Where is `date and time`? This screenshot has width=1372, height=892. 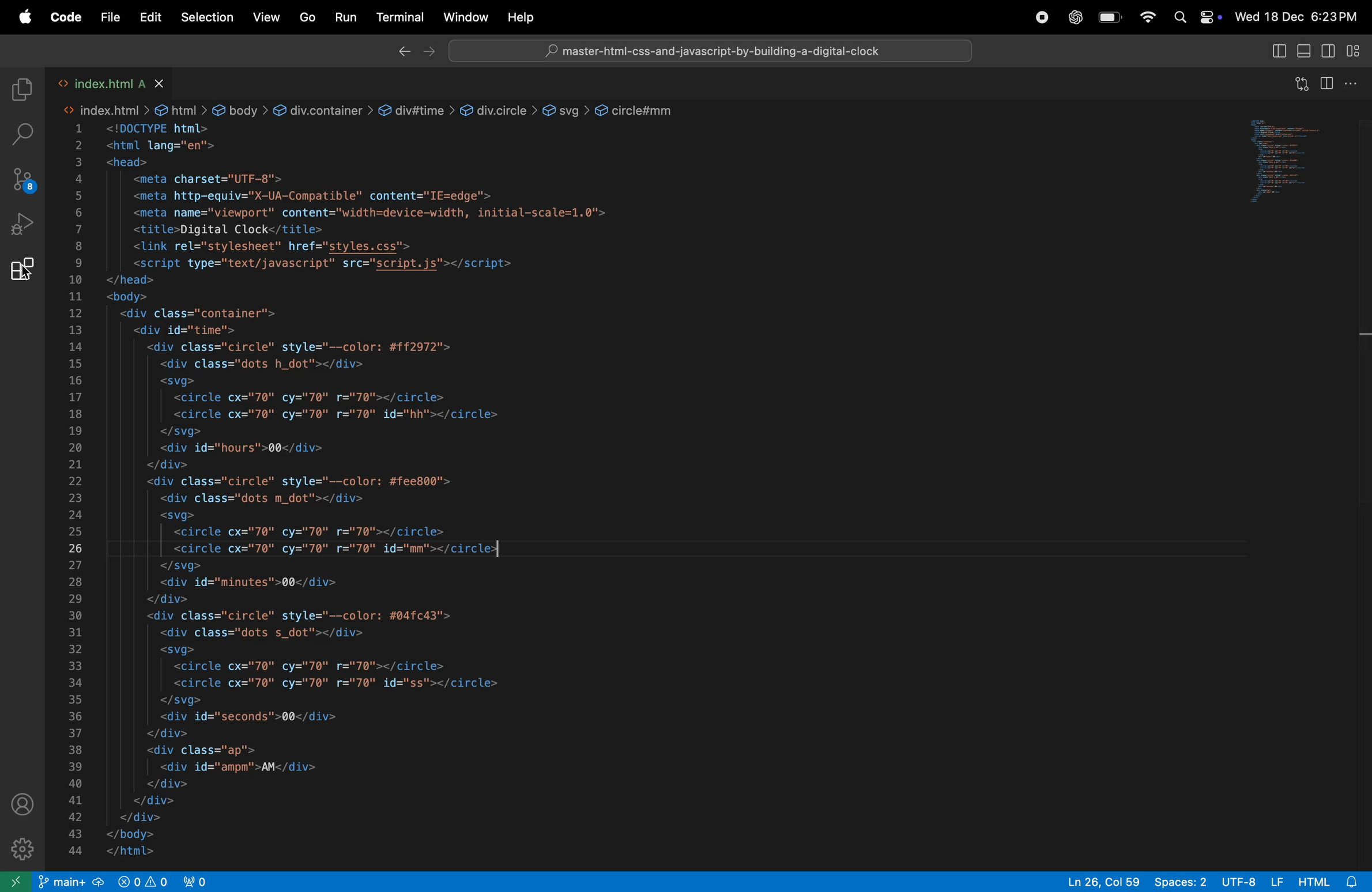 date and time is located at coordinates (1301, 16).